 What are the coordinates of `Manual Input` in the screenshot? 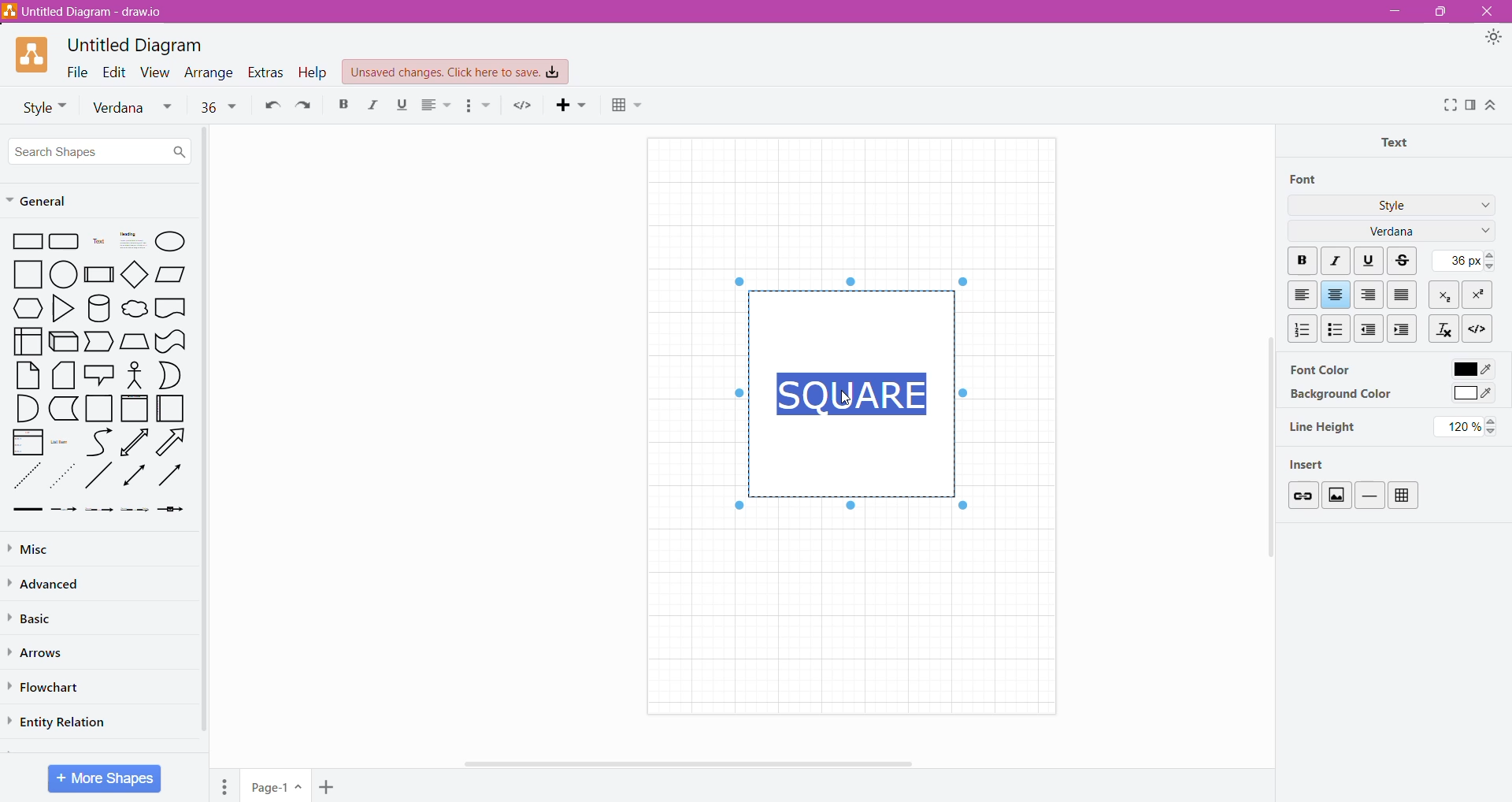 It's located at (134, 342).